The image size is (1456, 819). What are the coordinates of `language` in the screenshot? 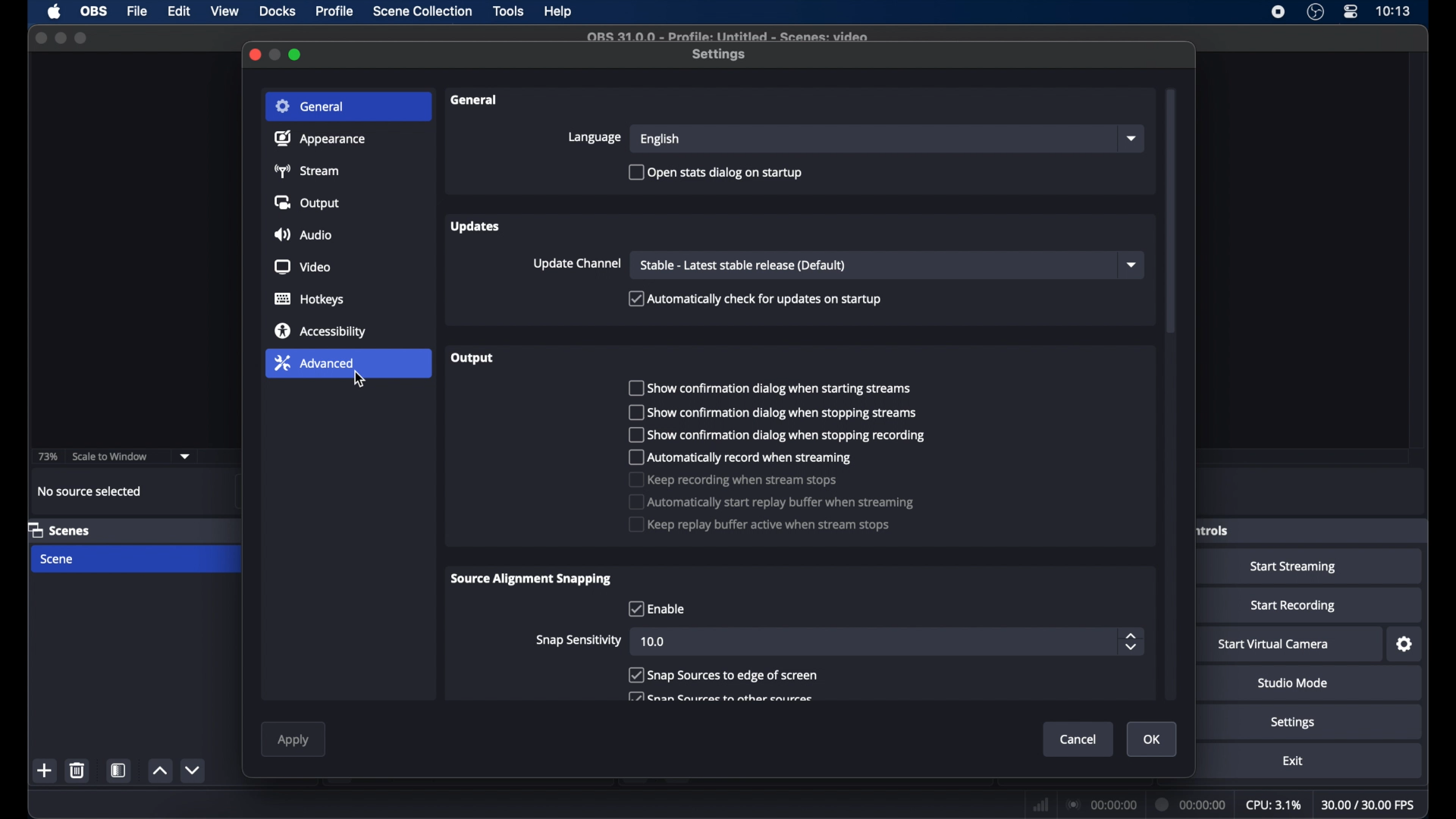 It's located at (595, 137).